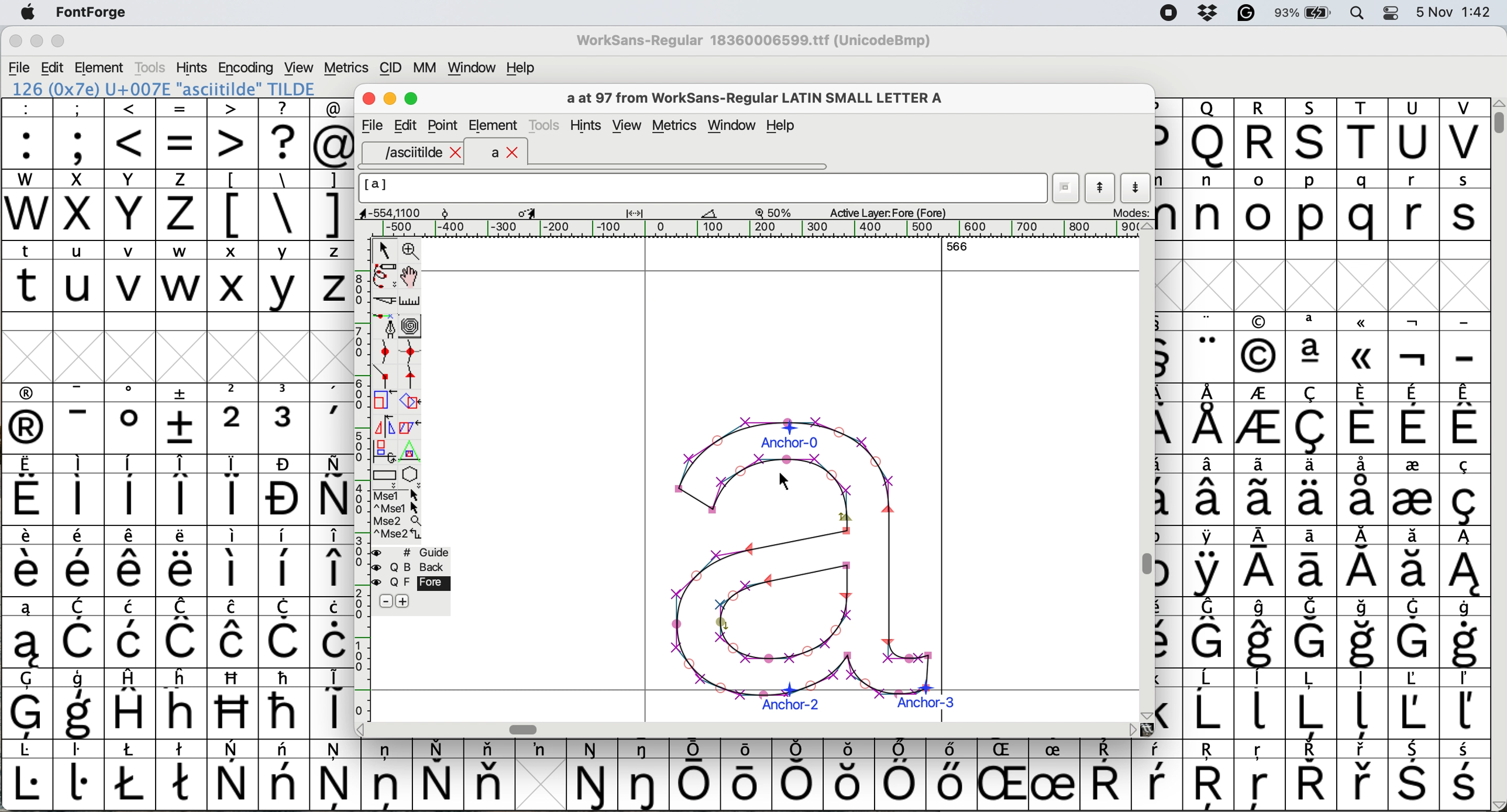  What do you see at coordinates (232, 632) in the screenshot?
I see `symbol` at bounding box center [232, 632].